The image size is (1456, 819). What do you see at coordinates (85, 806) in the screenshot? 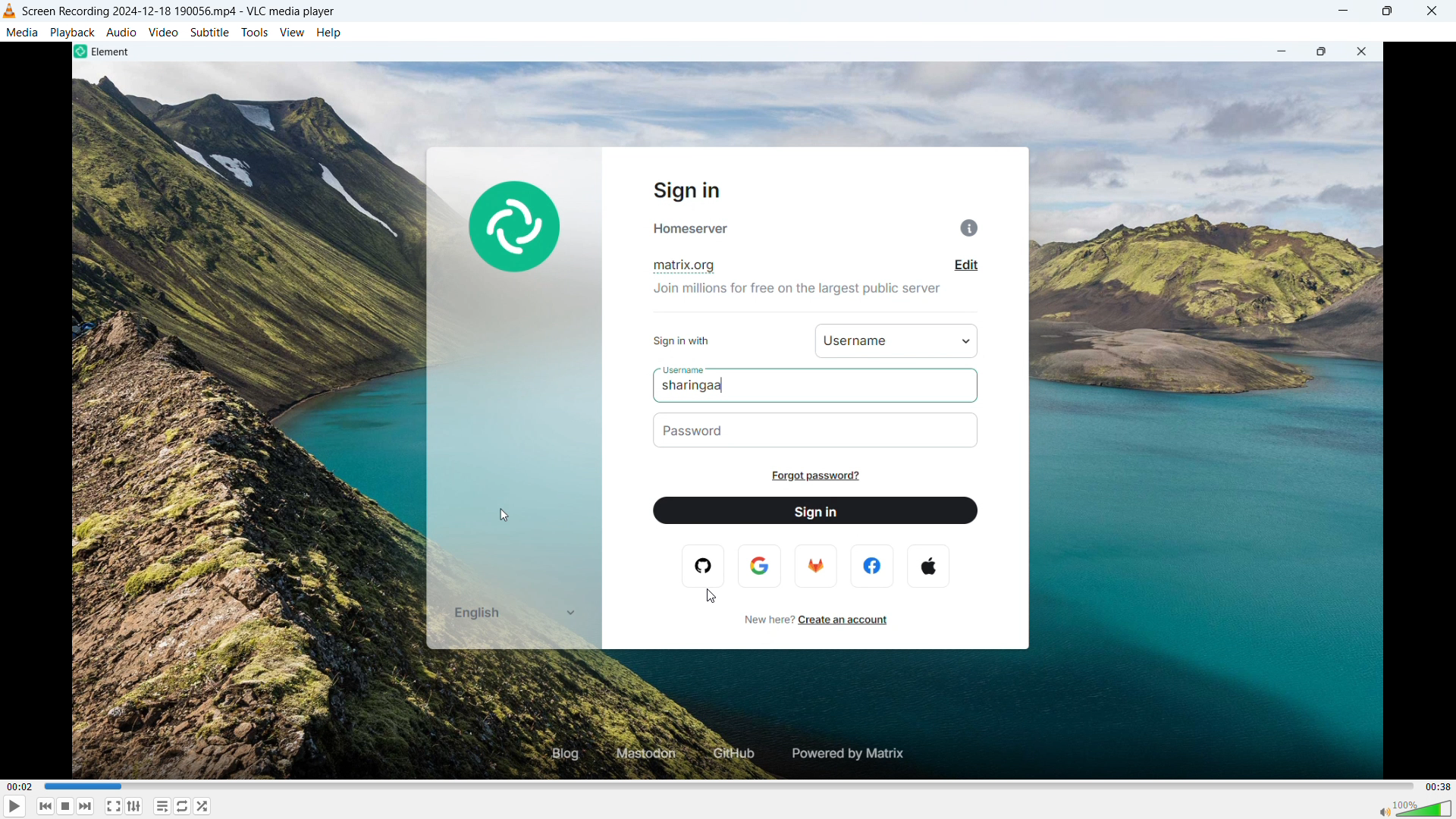
I see `forward or next media` at bounding box center [85, 806].